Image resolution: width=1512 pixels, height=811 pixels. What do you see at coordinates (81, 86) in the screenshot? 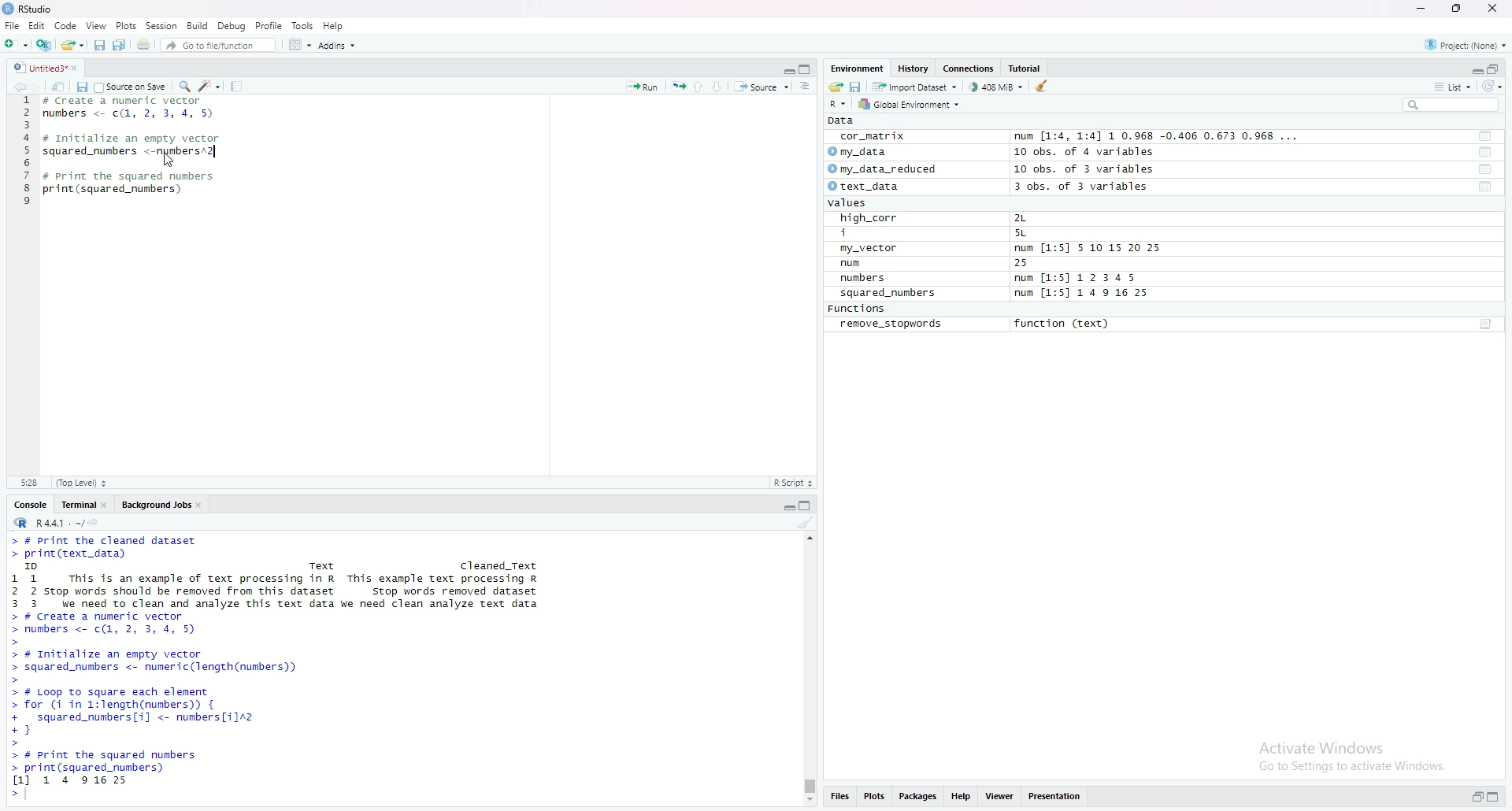
I see `save` at bounding box center [81, 86].